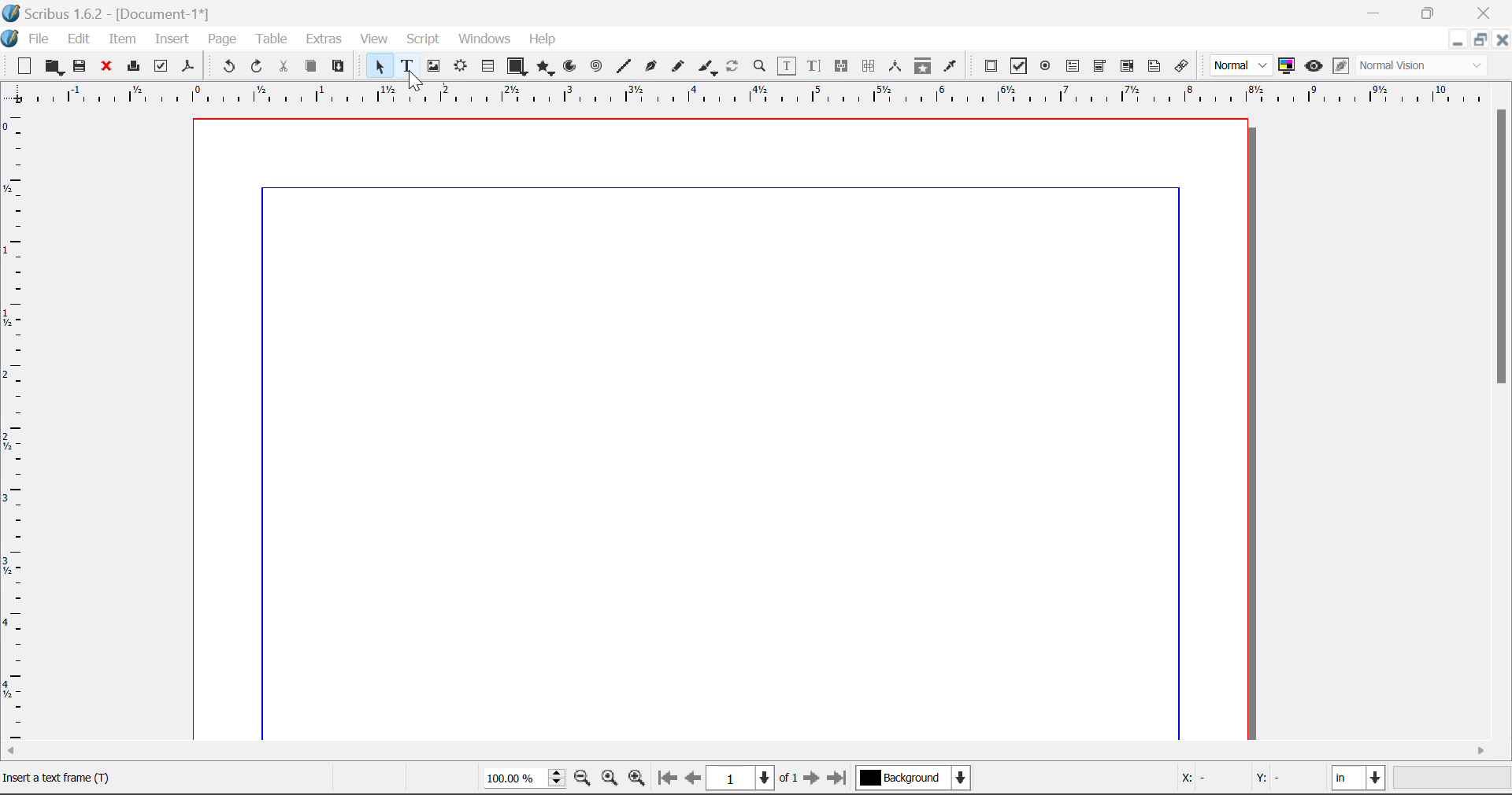  I want to click on Tables, so click(487, 66).